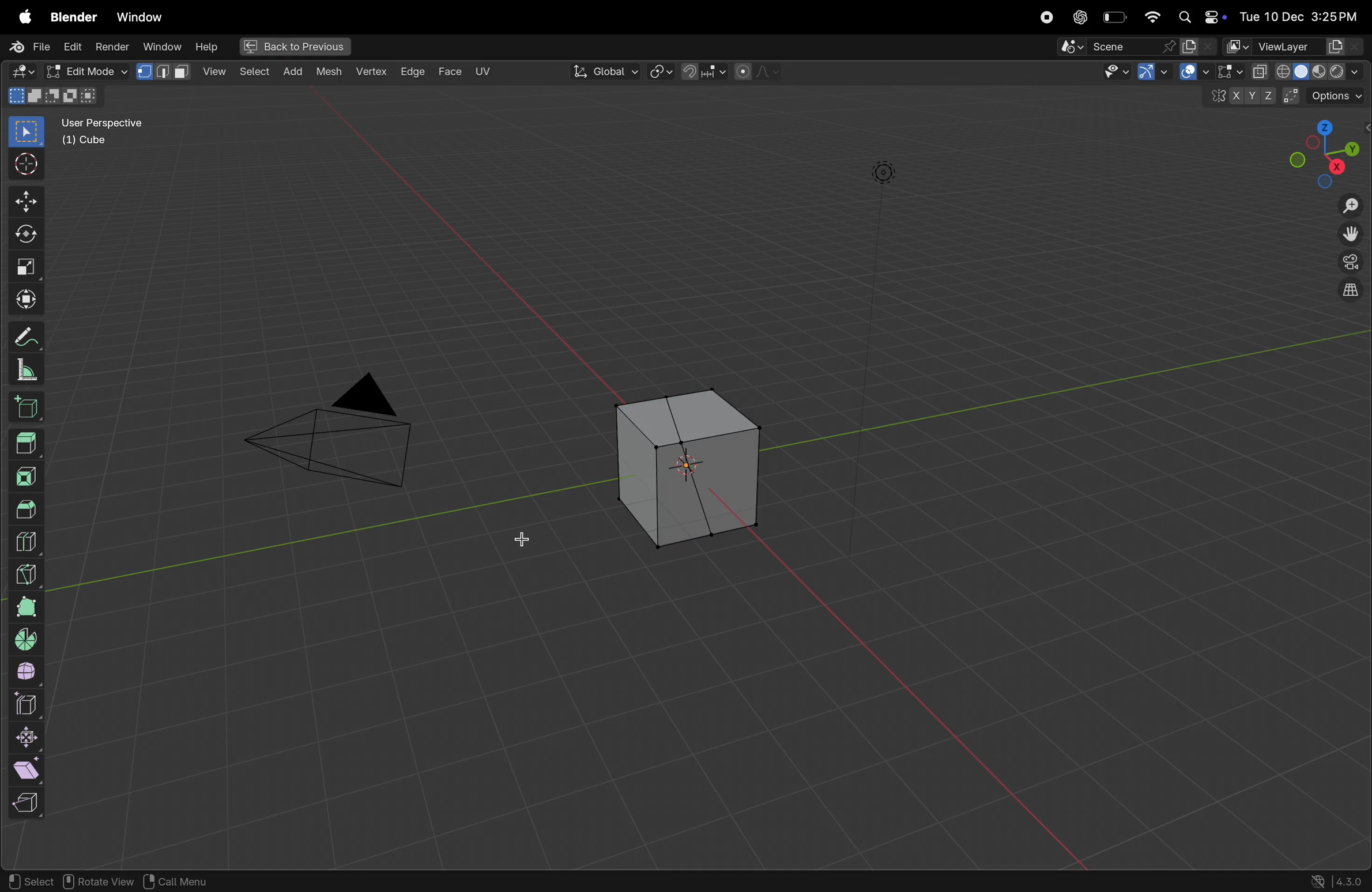 The image size is (1372, 892). What do you see at coordinates (19, 72) in the screenshot?
I see `editor type` at bounding box center [19, 72].